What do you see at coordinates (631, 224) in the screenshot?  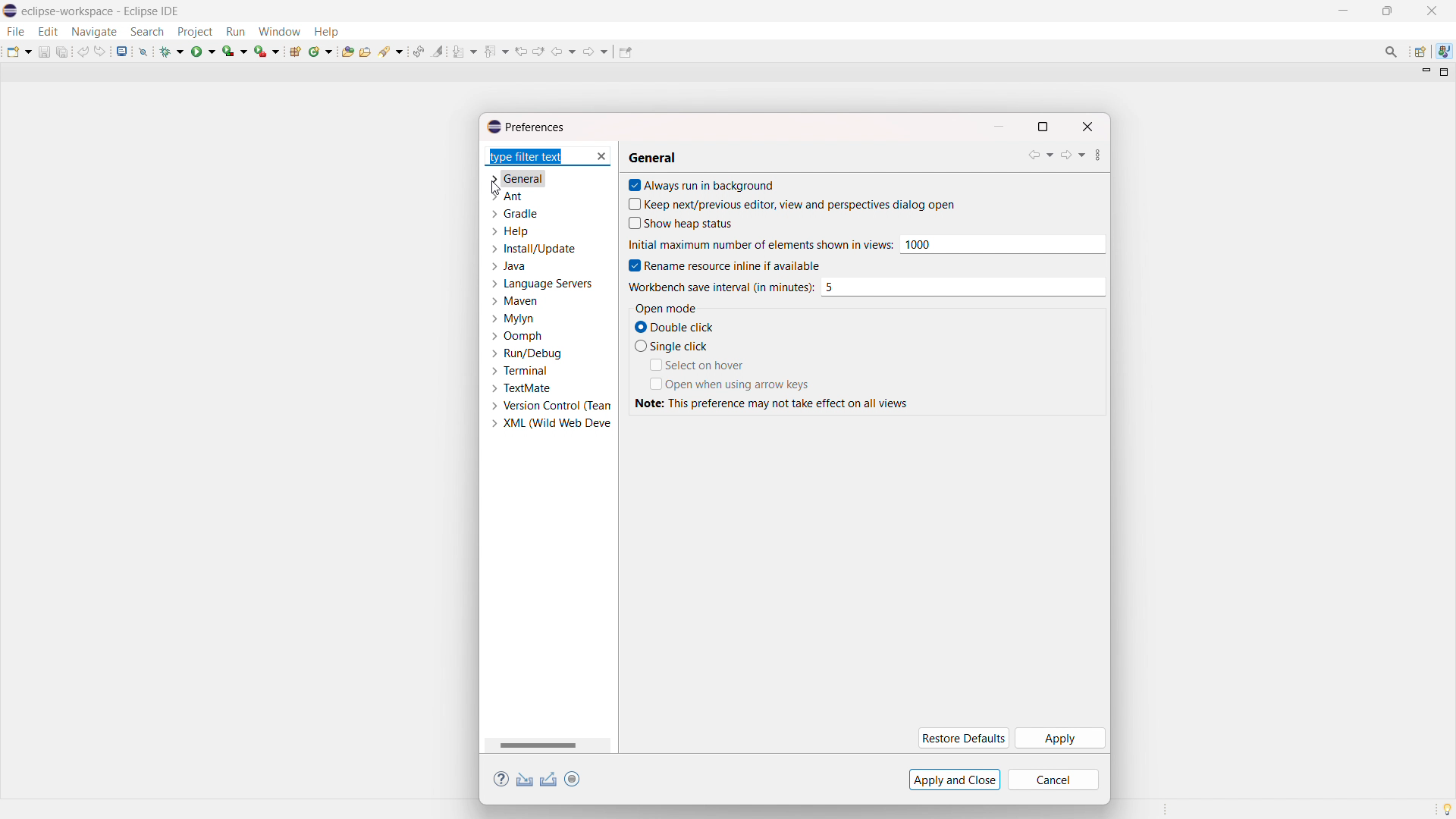 I see `Checkbox` at bounding box center [631, 224].